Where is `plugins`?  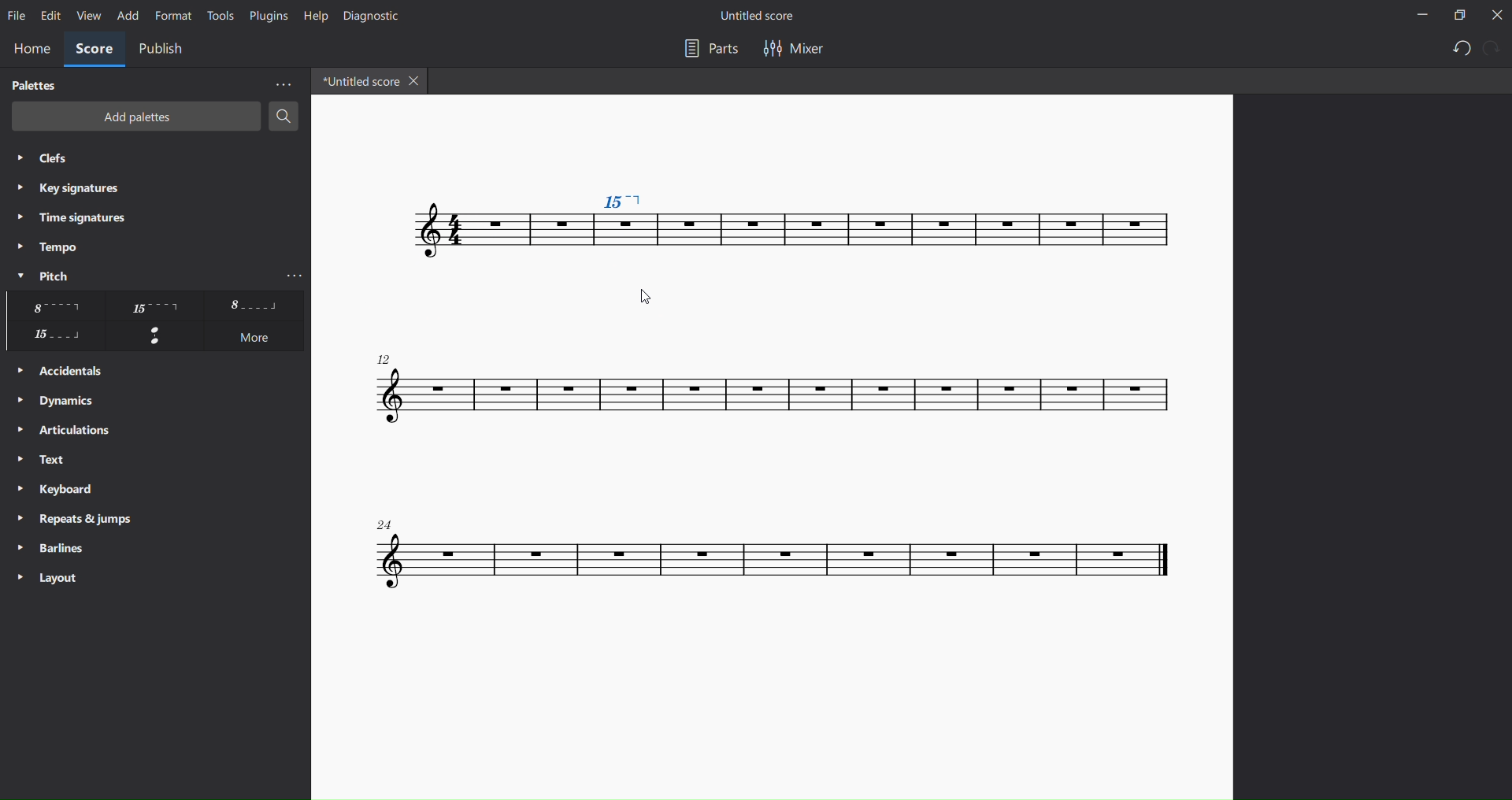 plugins is located at coordinates (265, 15).